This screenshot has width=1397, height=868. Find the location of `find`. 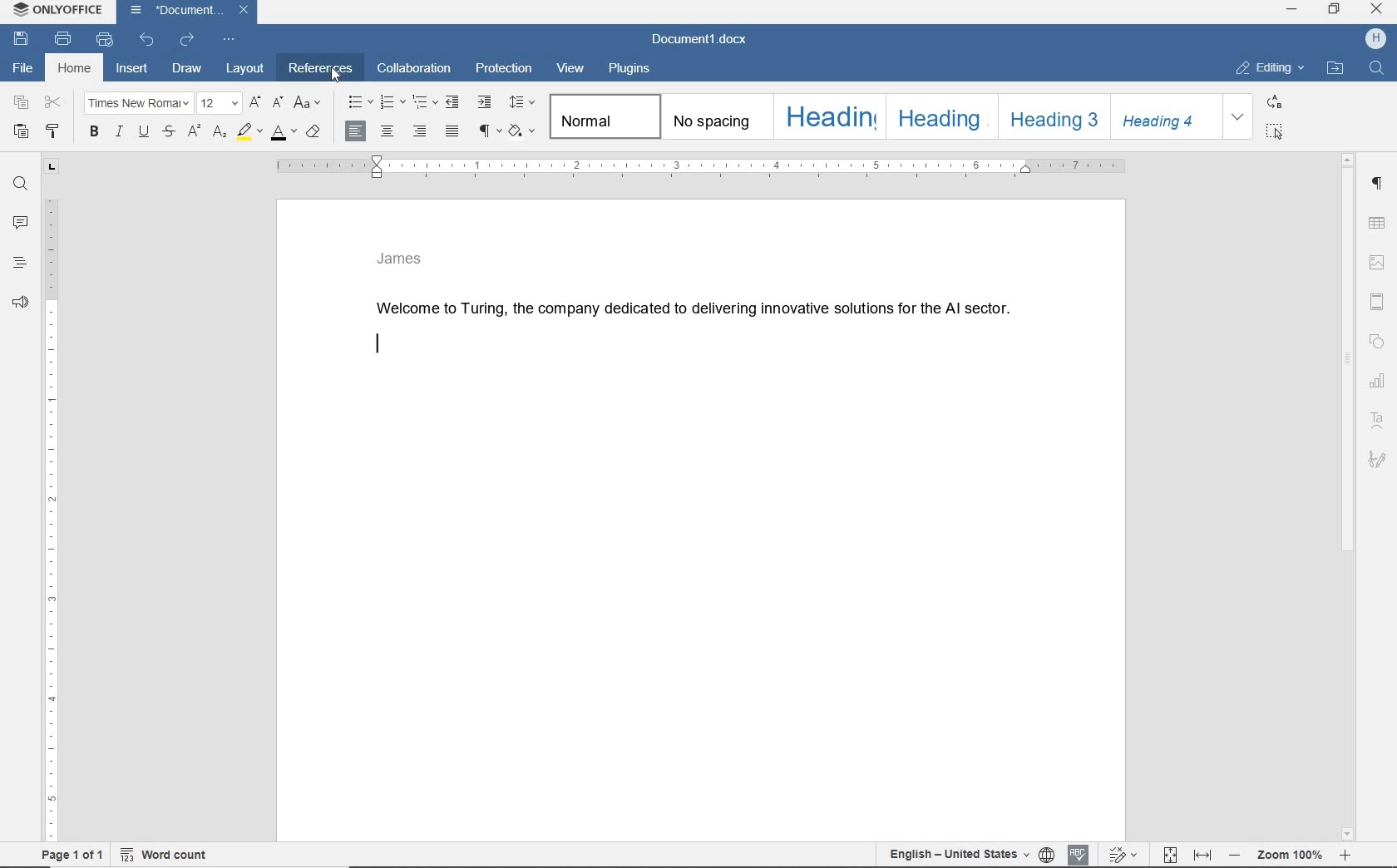

find is located at coordinates (1375, 67).